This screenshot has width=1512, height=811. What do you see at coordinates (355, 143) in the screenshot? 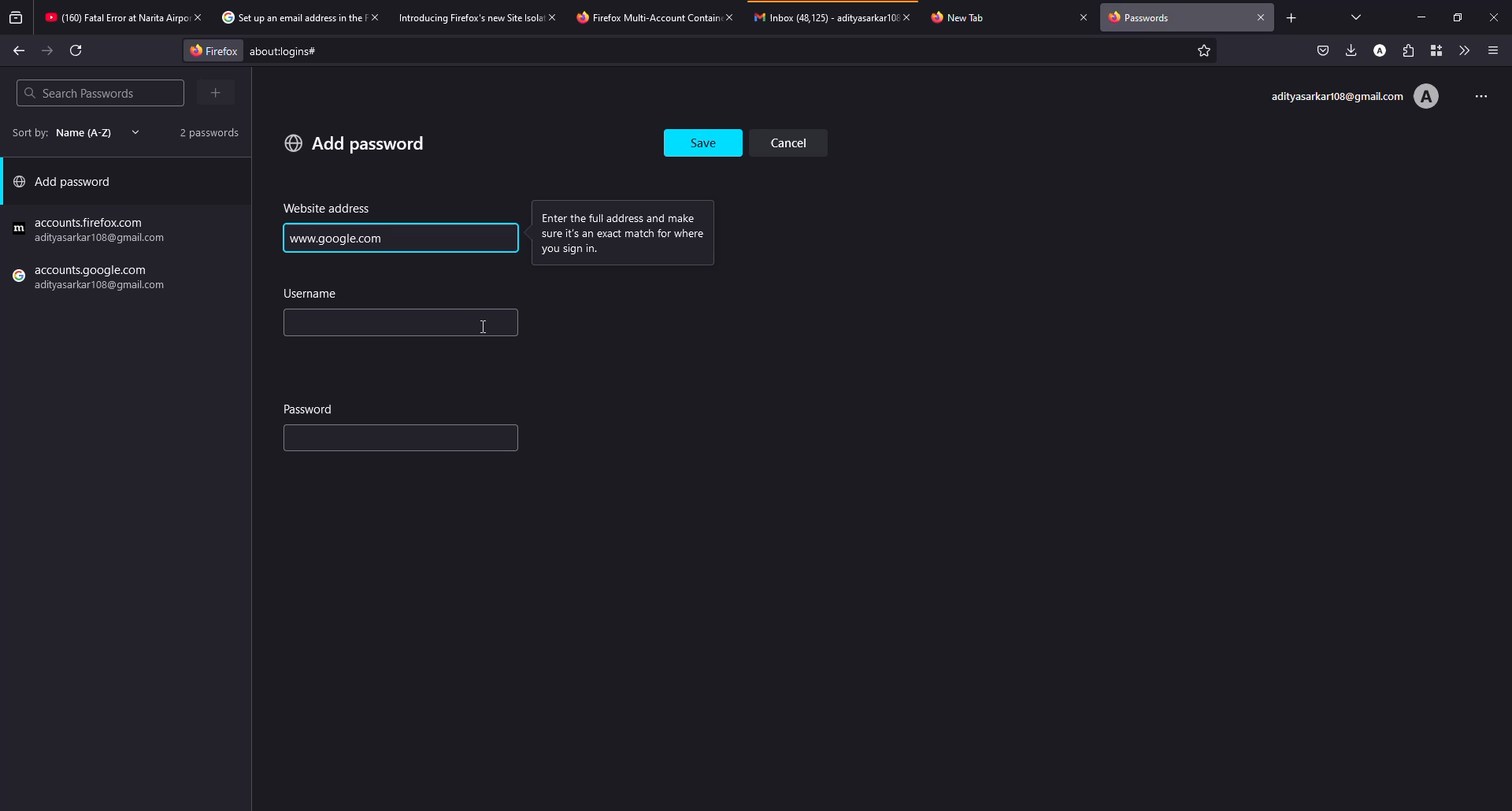
I see `add` at bounding box center [355, 143].